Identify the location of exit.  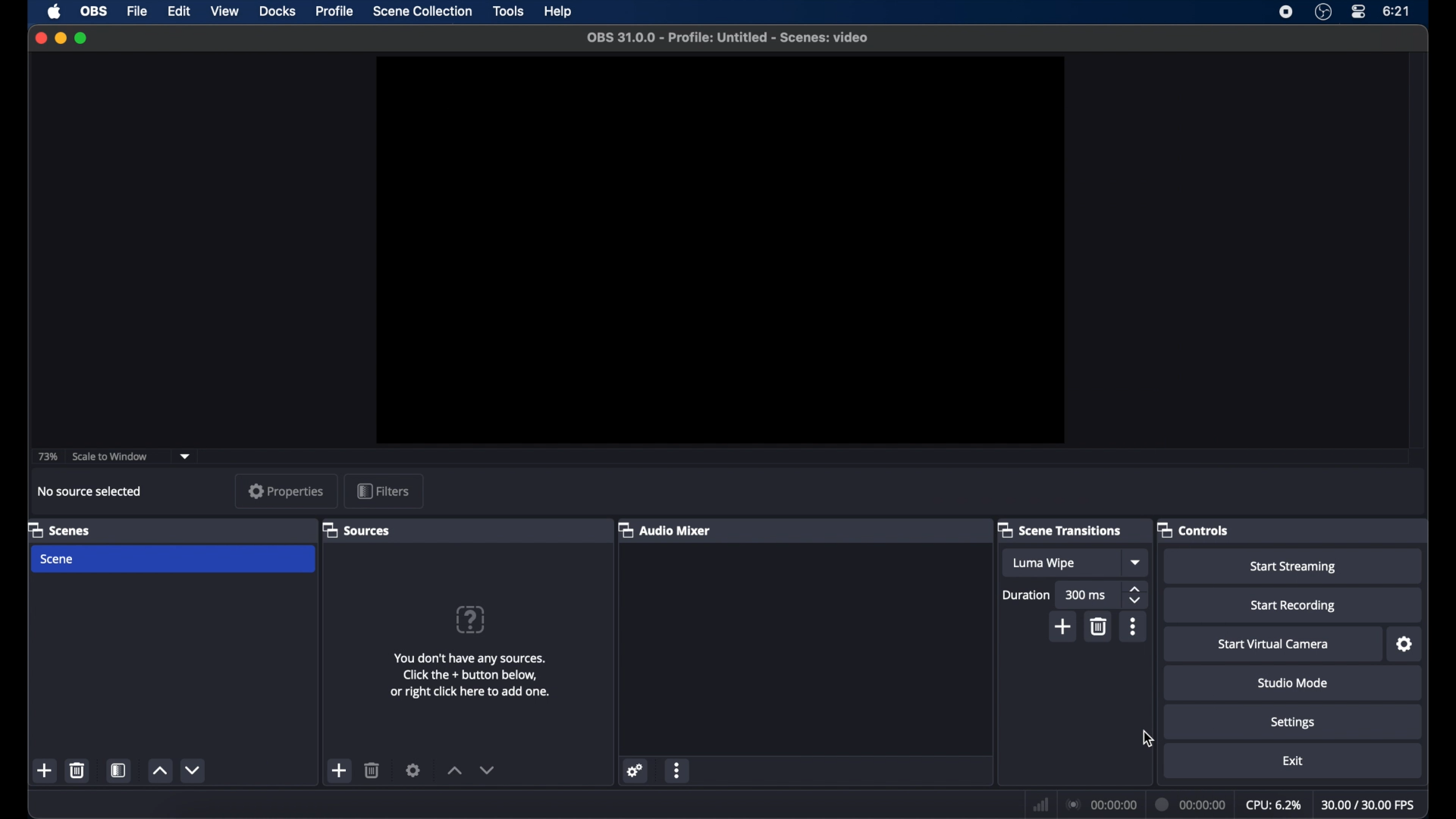
(1292, 761).